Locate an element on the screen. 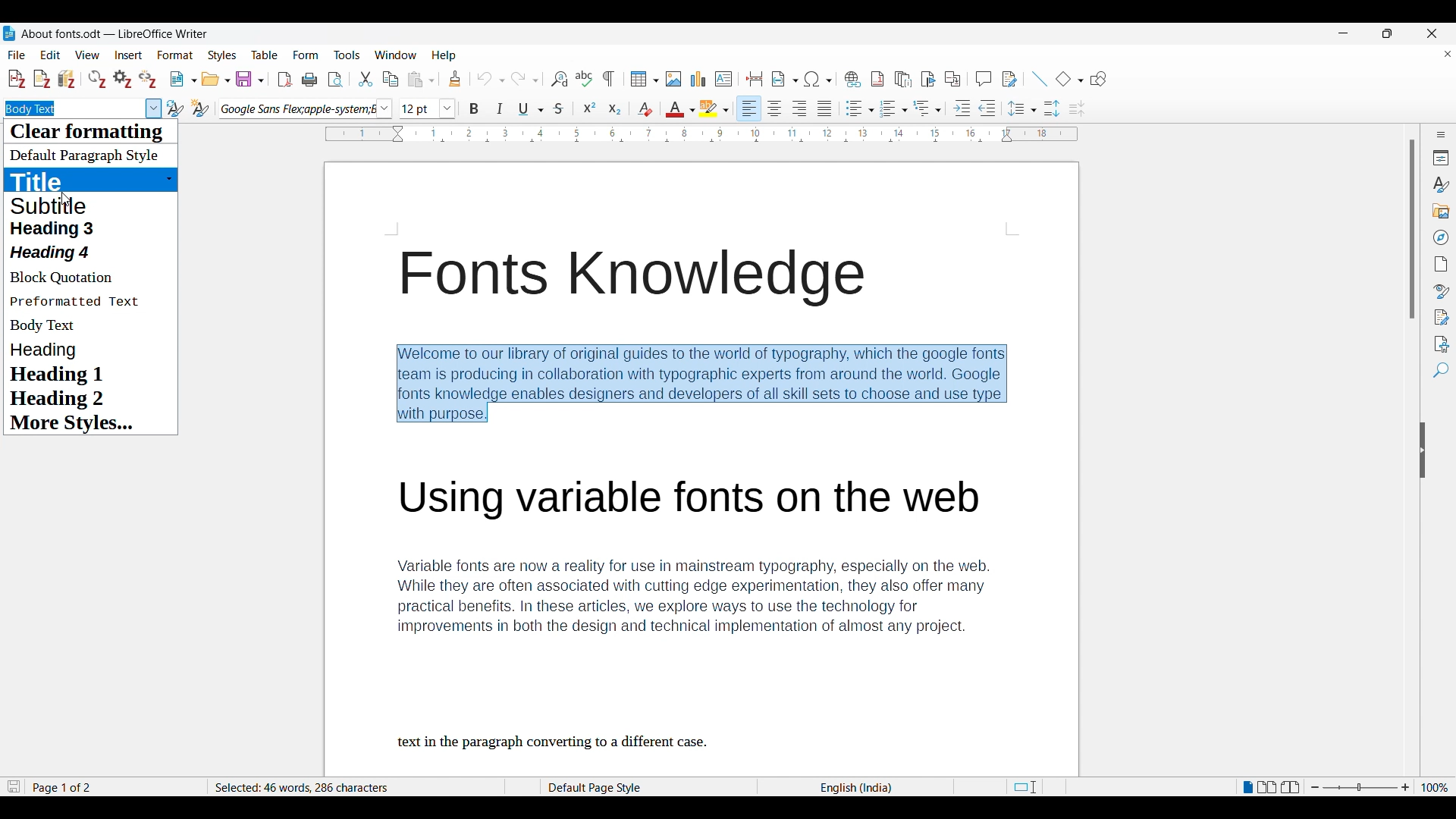  heading 1 is located at coordinates (60, 375).